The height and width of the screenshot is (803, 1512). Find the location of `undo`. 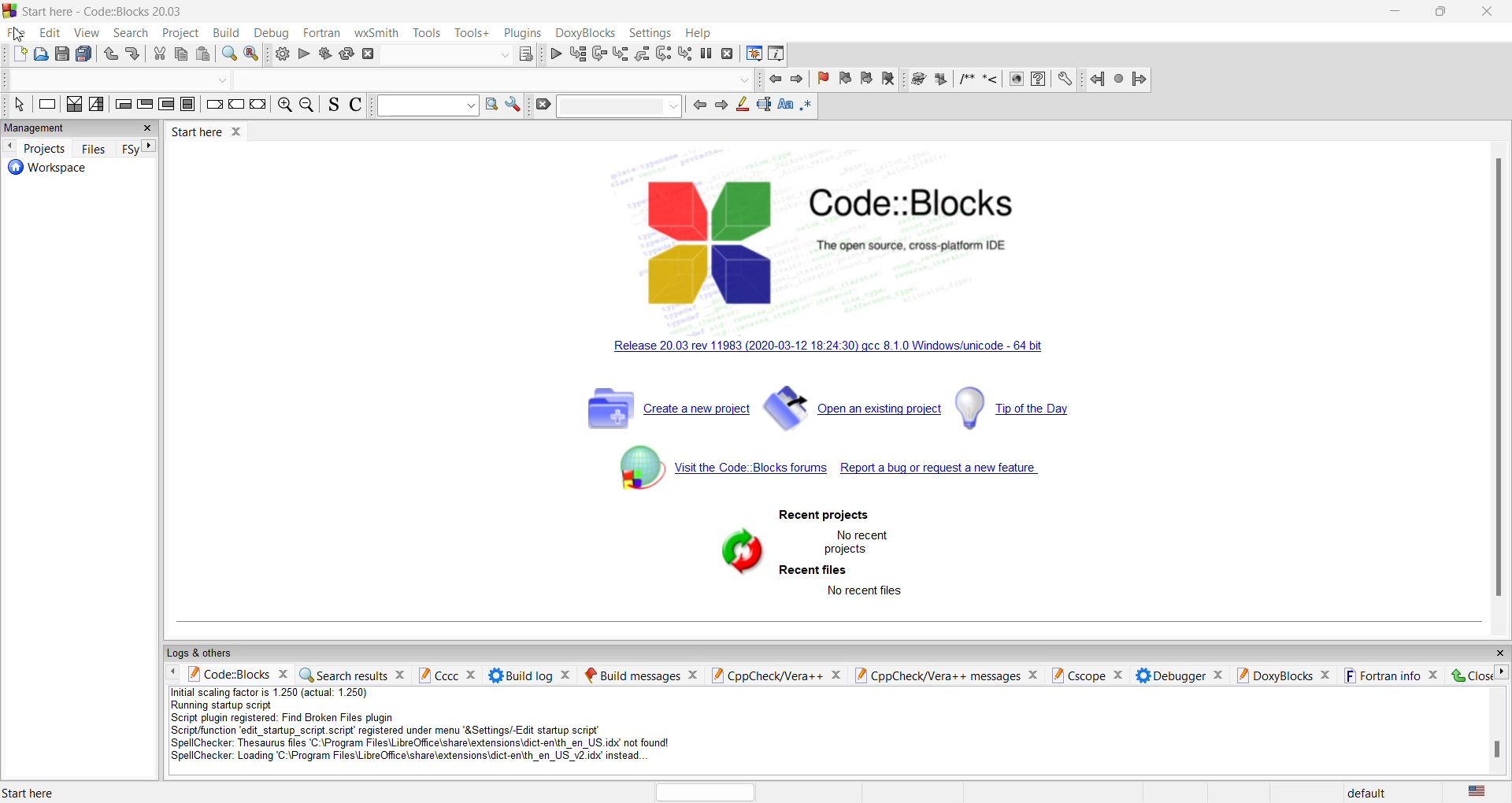

undo is located at coordinates (109, 56).